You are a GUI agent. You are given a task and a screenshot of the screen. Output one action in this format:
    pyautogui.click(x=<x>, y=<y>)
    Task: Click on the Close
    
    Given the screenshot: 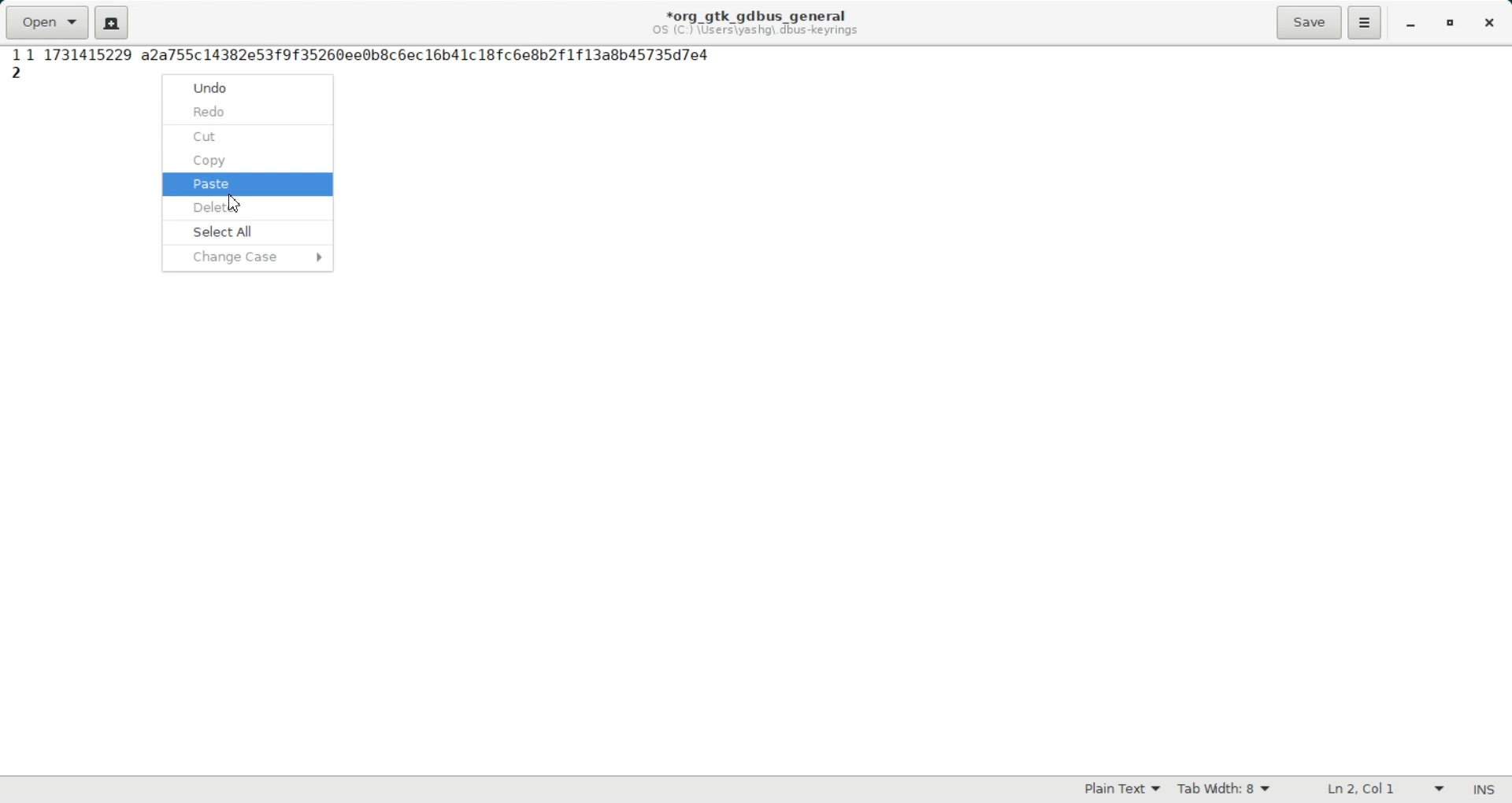 What is the action you would take?
    pyautogui.click(x=1488, y=24)
    